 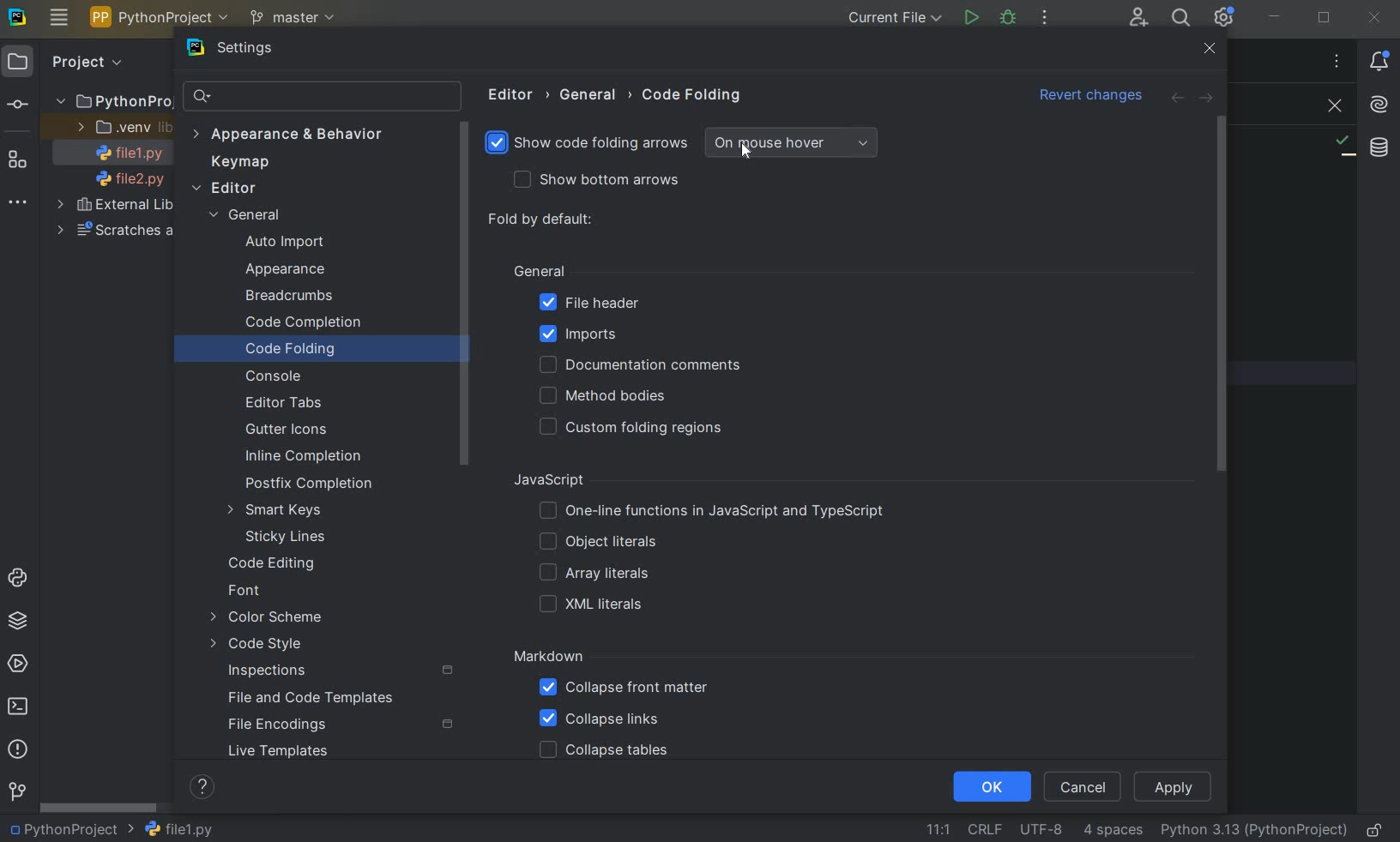 I want to click on SCROLLBAR, so click(x=99, y=809).